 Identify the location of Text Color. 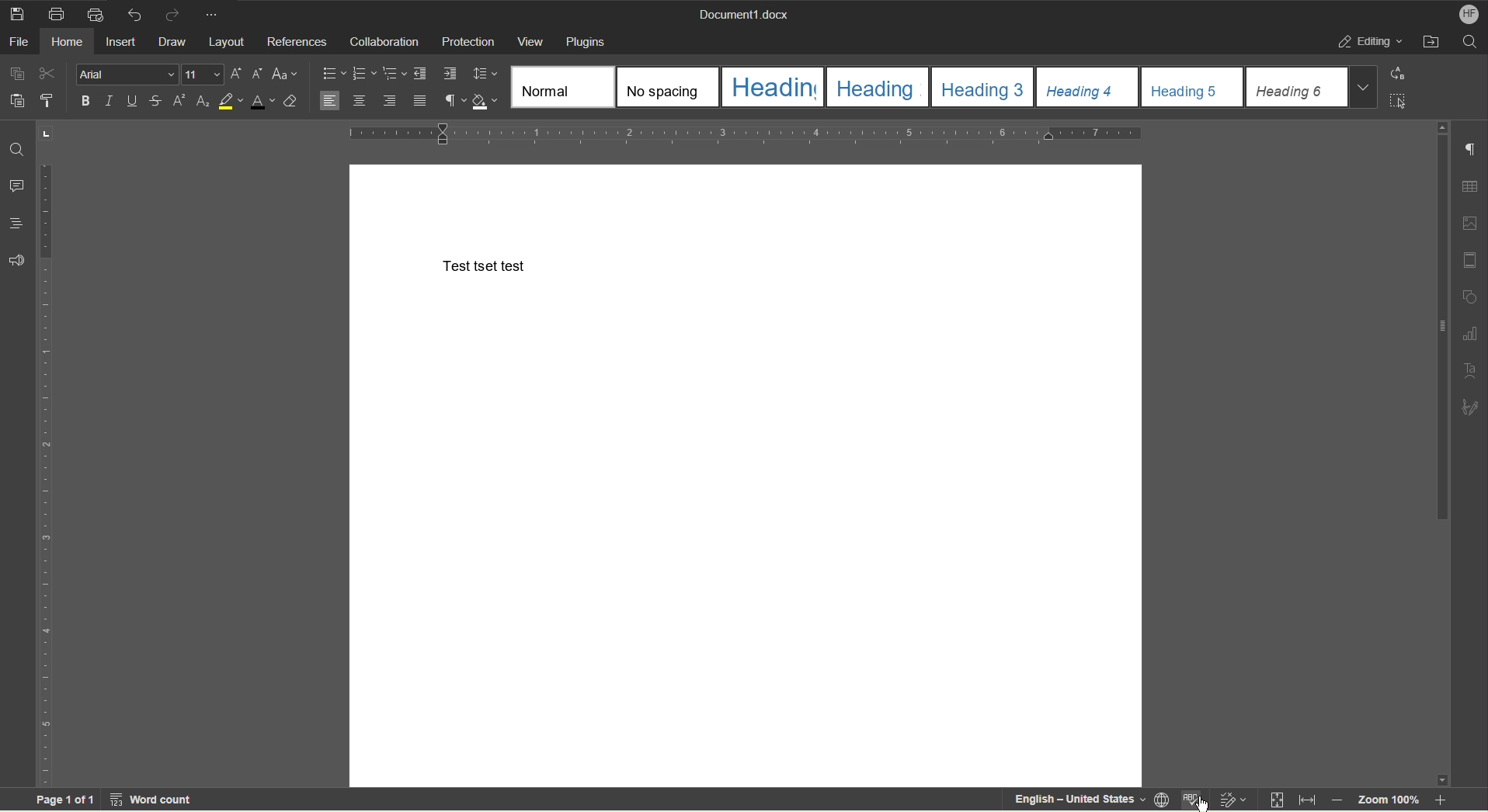
(262, 102).